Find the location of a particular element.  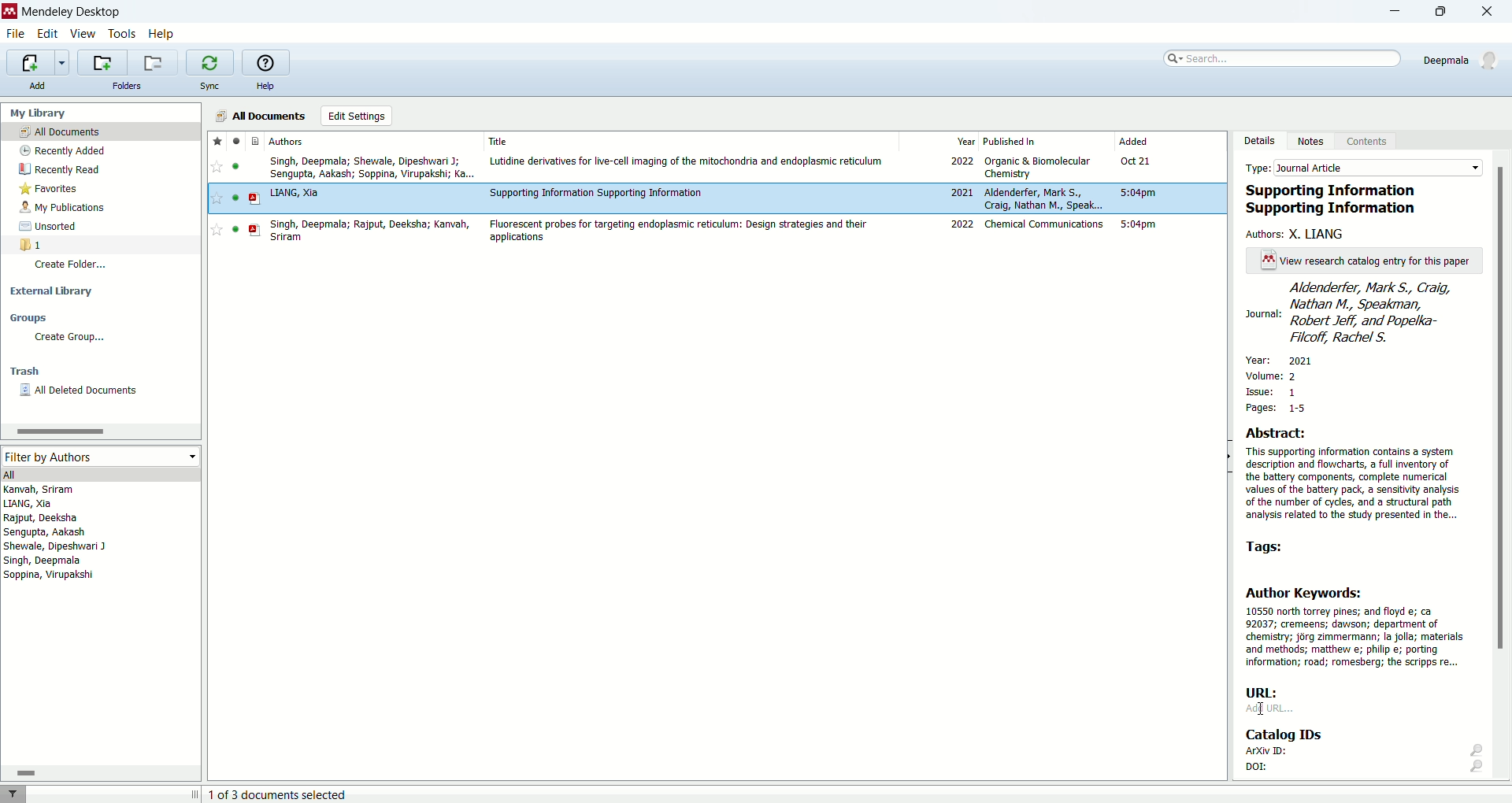

edit settings is located at coordinates (356, 116).